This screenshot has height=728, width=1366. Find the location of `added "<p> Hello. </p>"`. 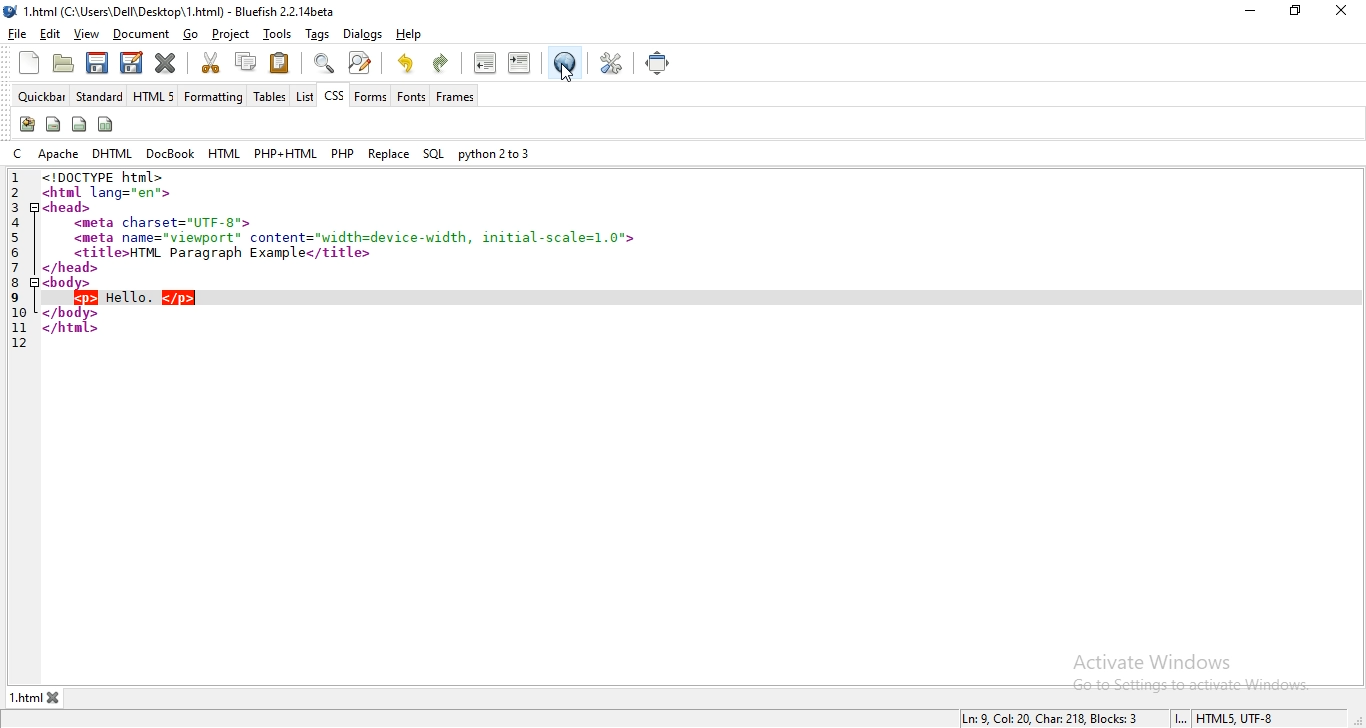

added "<p> Hello. </p>" is located at coordinates (135, 298).